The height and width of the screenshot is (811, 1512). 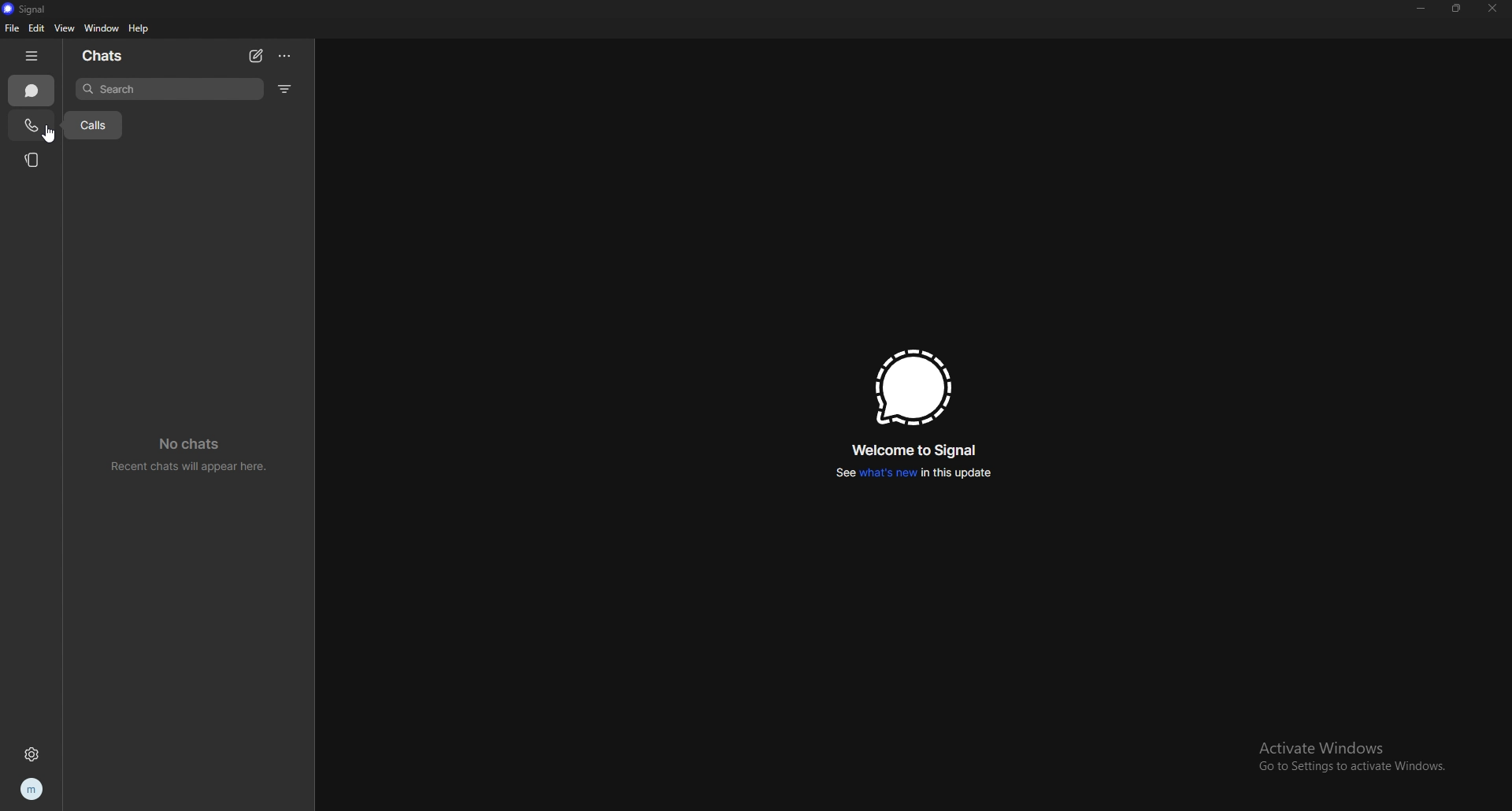 I want to click on help, so click(x=139, y=30).